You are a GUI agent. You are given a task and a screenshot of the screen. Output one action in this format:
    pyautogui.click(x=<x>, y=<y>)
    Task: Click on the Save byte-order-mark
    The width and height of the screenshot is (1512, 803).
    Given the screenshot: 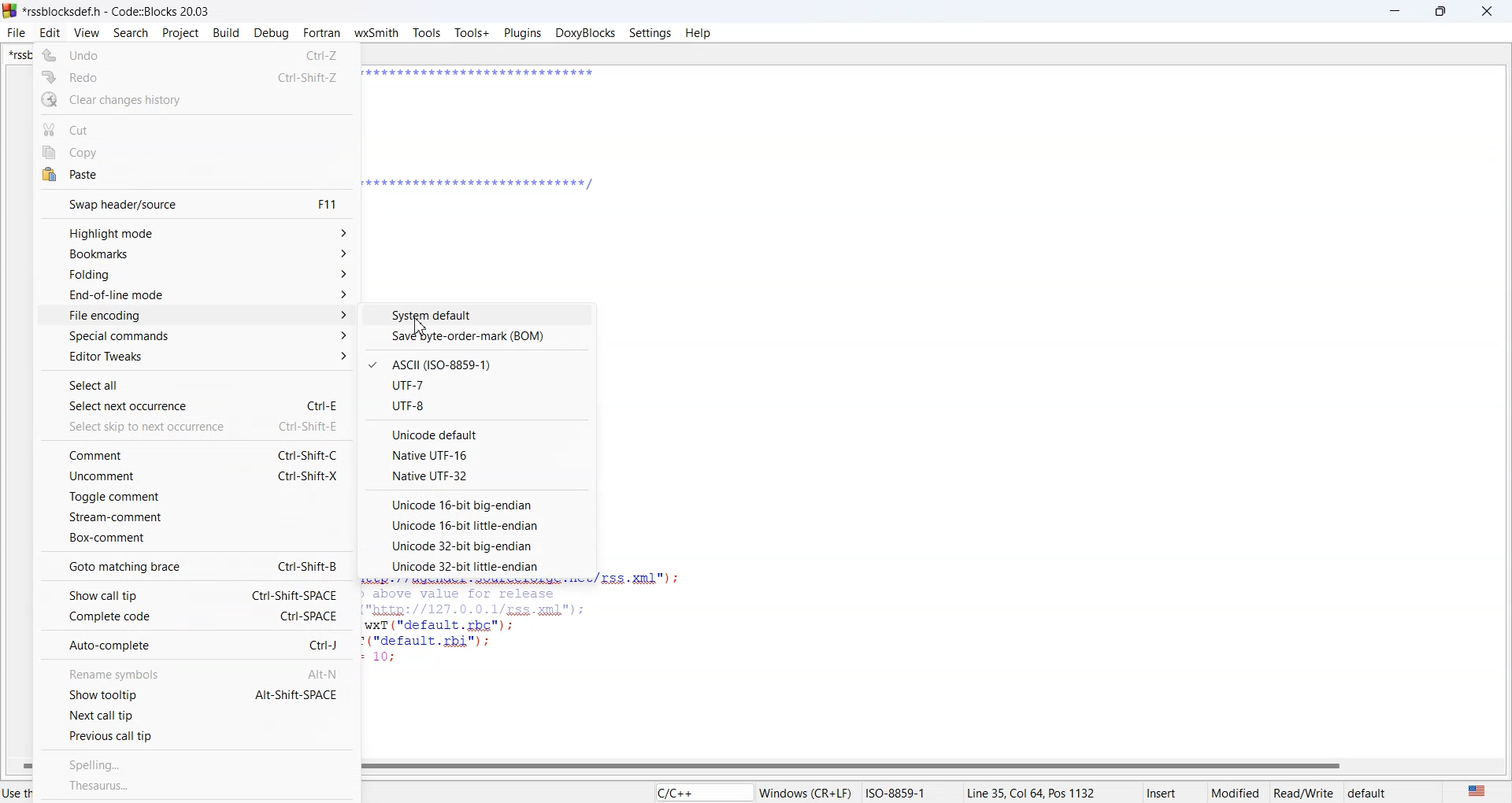 What is the action you would take?
    pyautogui.click(x=479, y=336)
    